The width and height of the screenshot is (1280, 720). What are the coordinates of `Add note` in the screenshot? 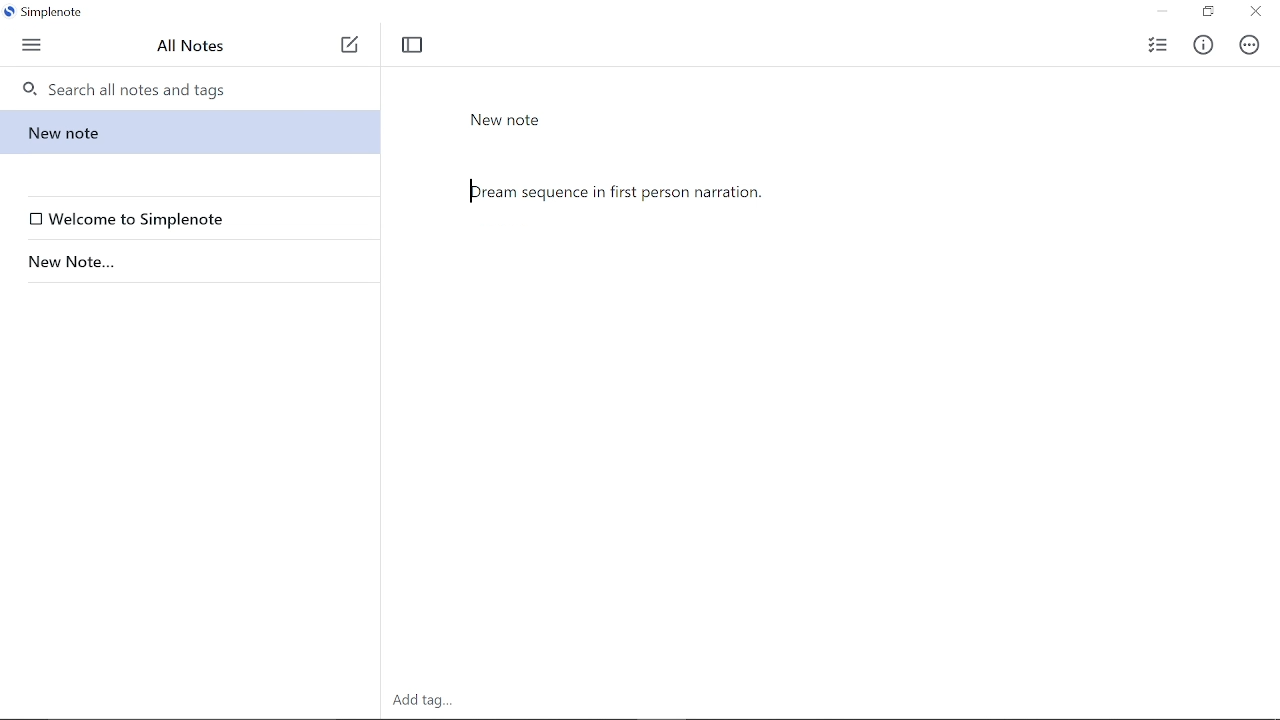 It's located at (350, 45).